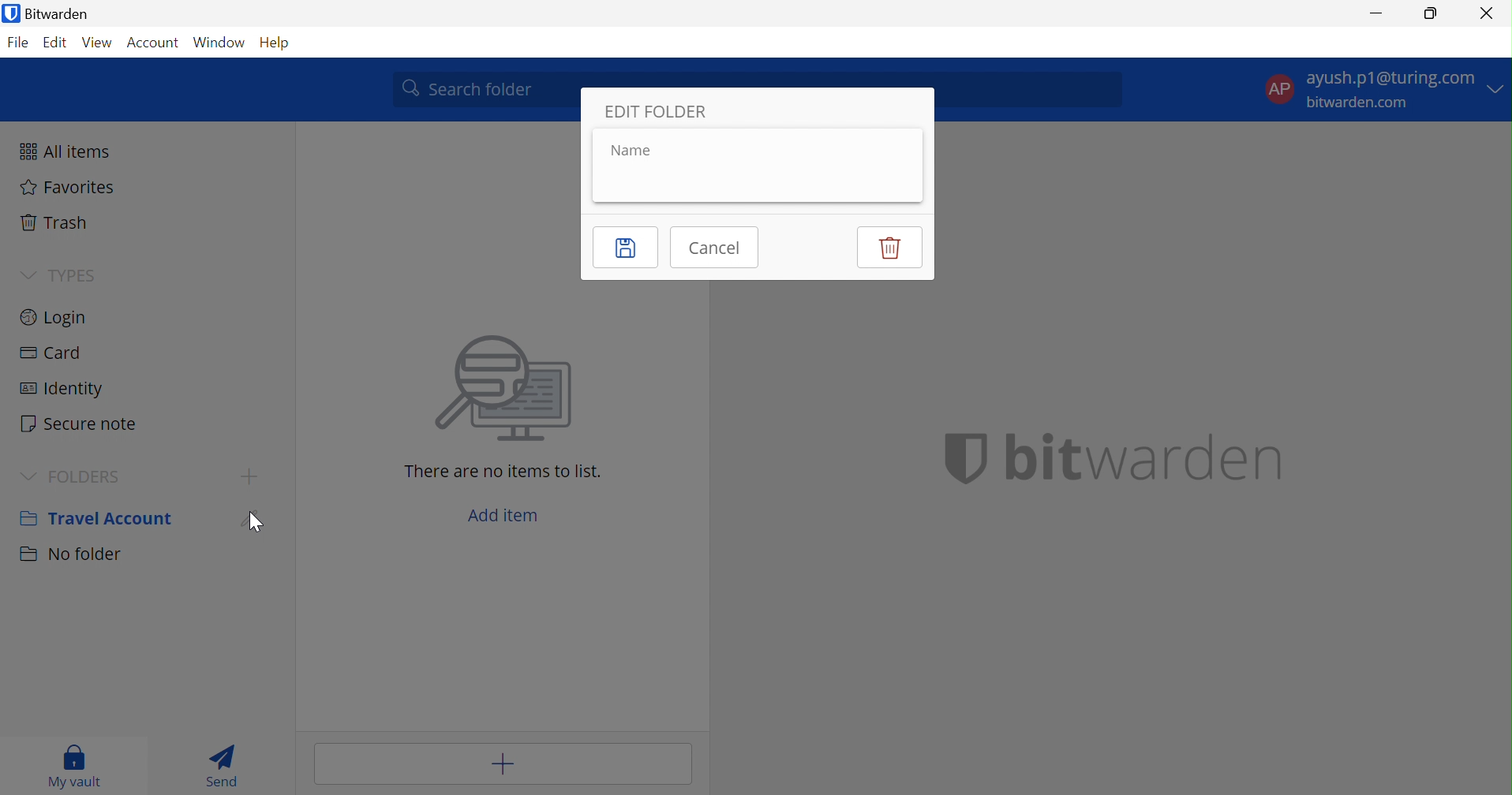 The width and height of the screenshot is (1512, 795). Describe the element at coordinates (154, 42) in the screenshot. I see `Account` at that location.